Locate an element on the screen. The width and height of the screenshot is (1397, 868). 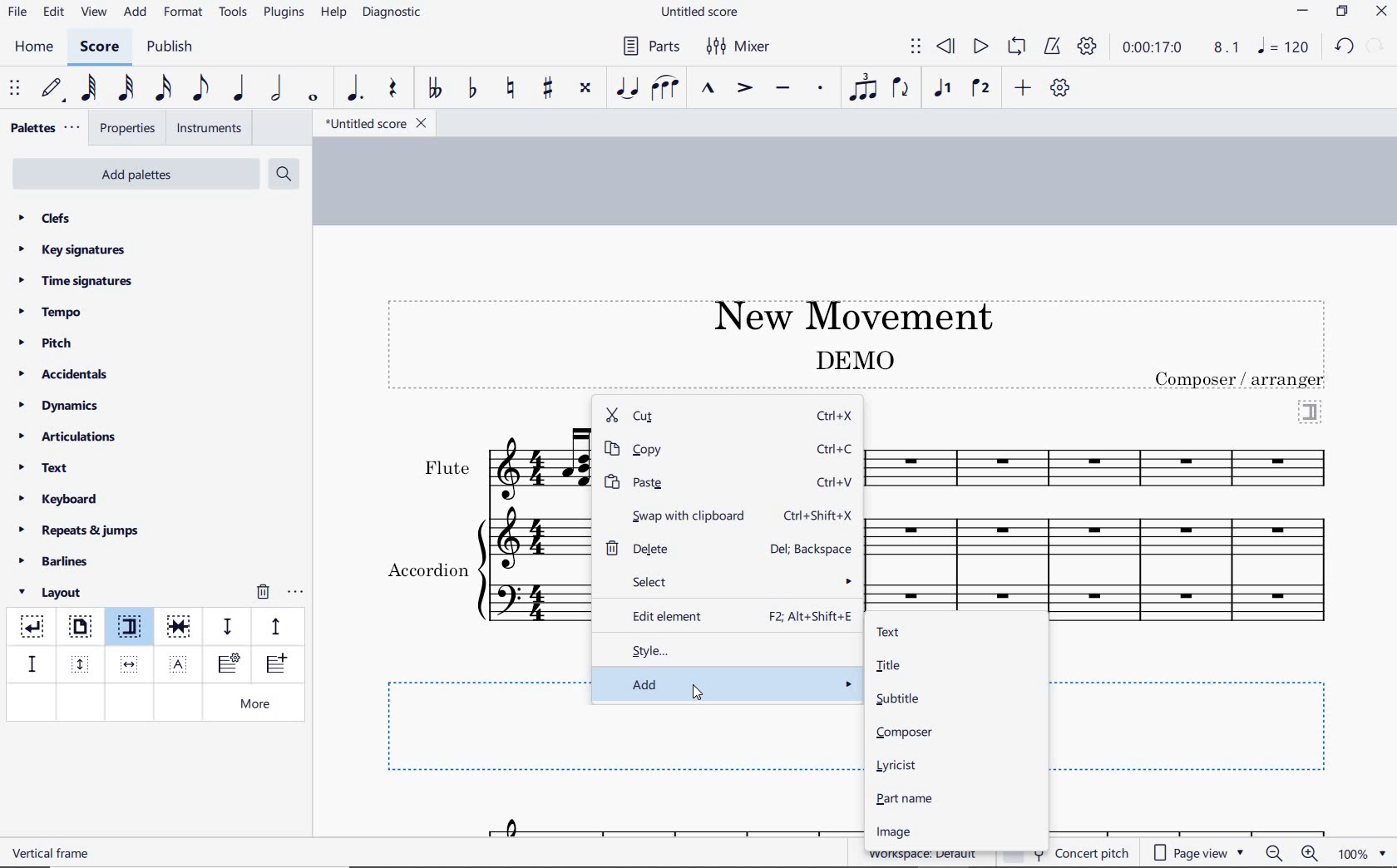
properties is located at coordinates (129, 130).